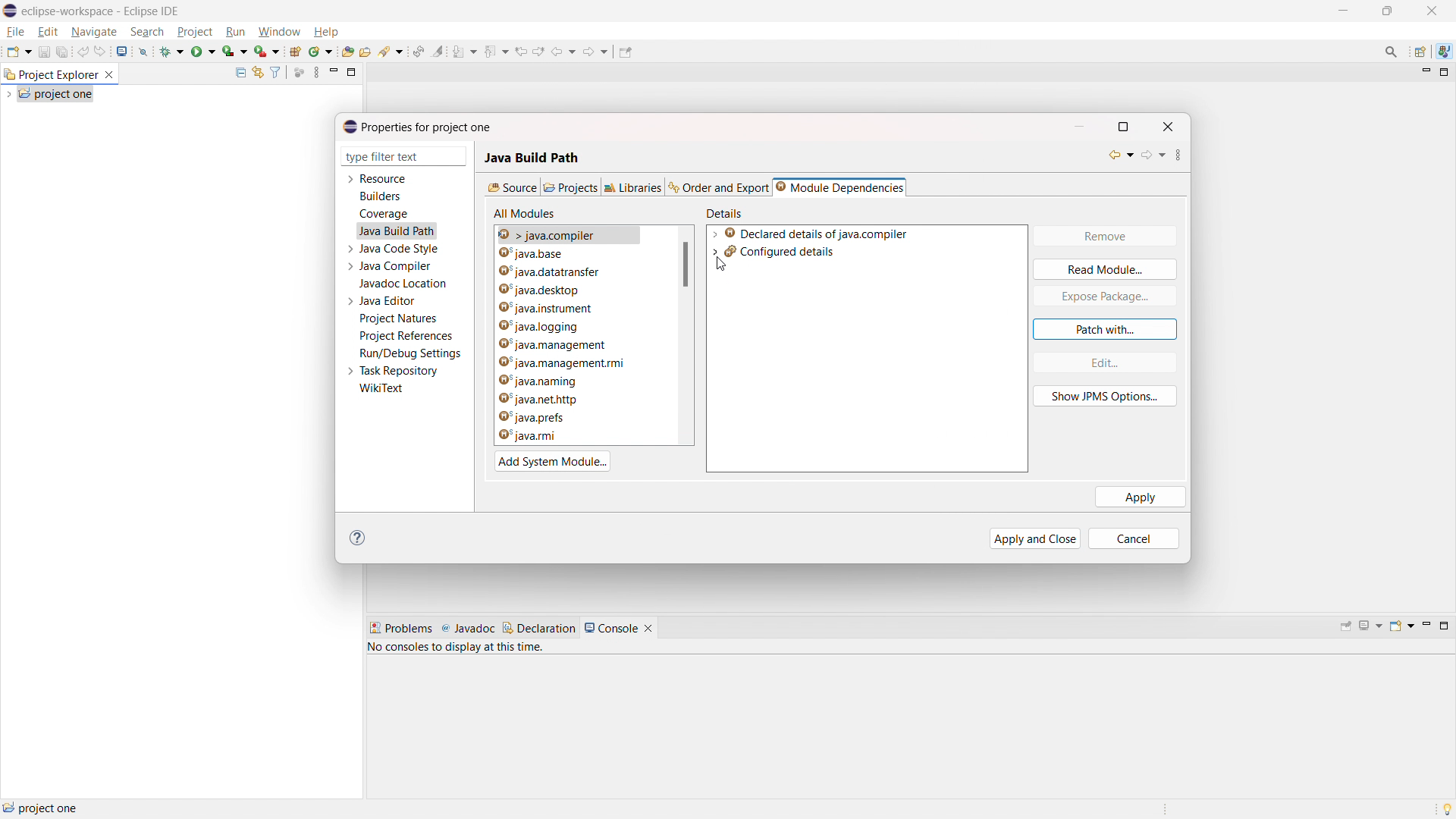 This screenshot has width=1456, height=819. Describe the element at coordinates (464, 52) in the screenshot. I see `next annotation` at that location.